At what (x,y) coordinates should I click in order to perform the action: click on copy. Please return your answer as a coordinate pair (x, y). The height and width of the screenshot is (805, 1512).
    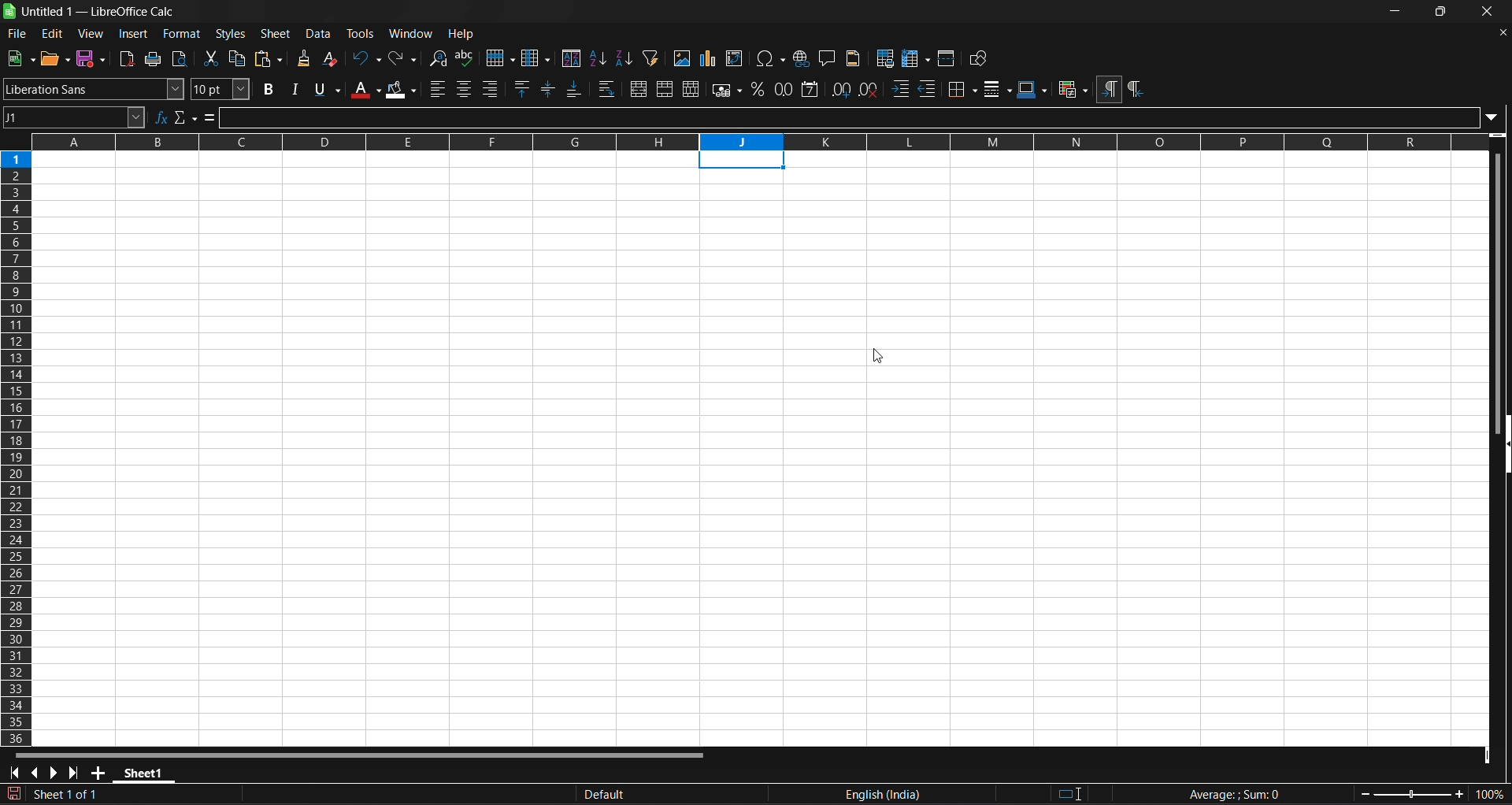
    Looking at the image, I should click on (240, 58).